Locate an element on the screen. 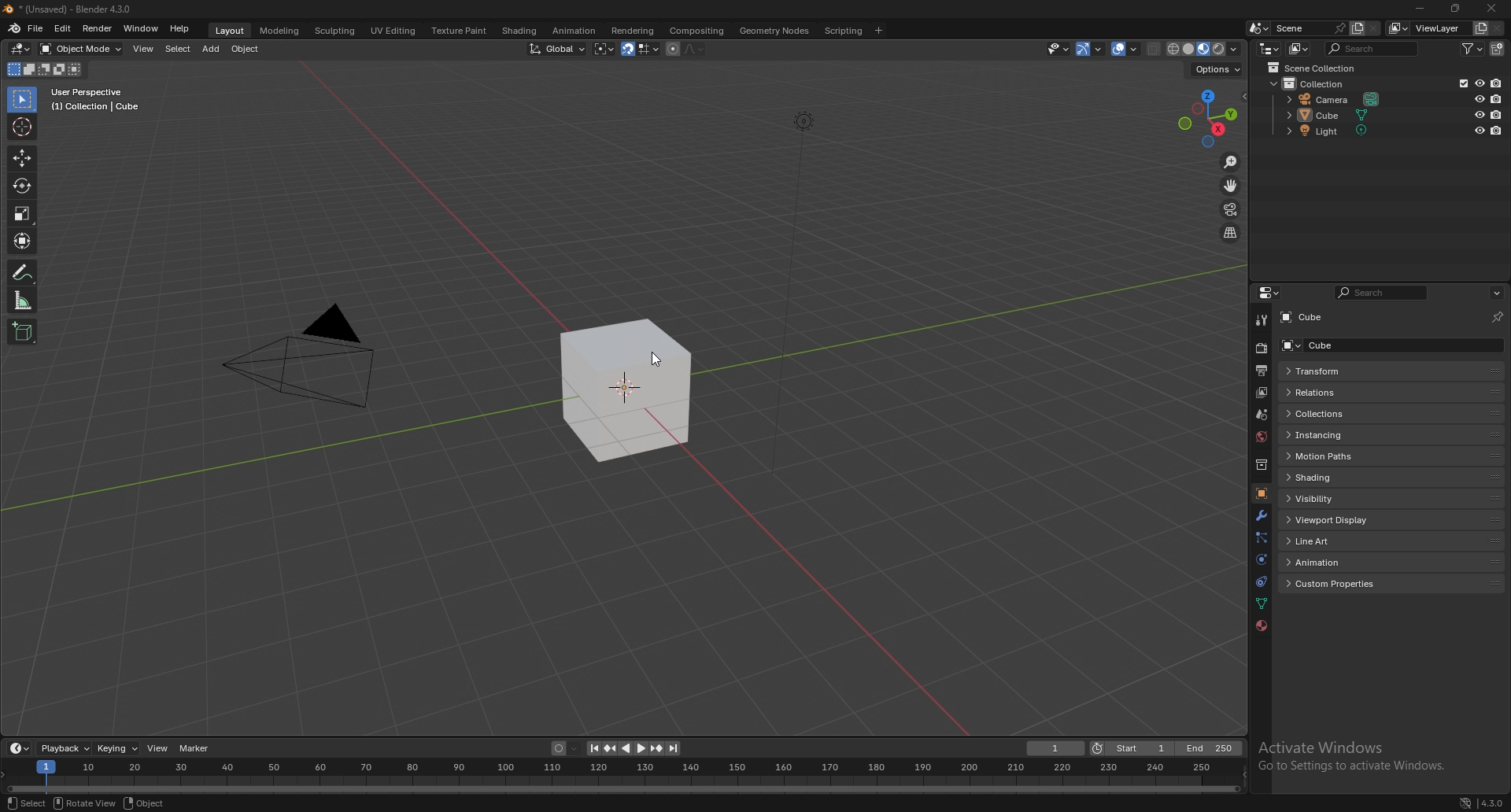 The width and height of the screenshot is (1511, 812). add viewlayer is located at coordinates (1481, 28).